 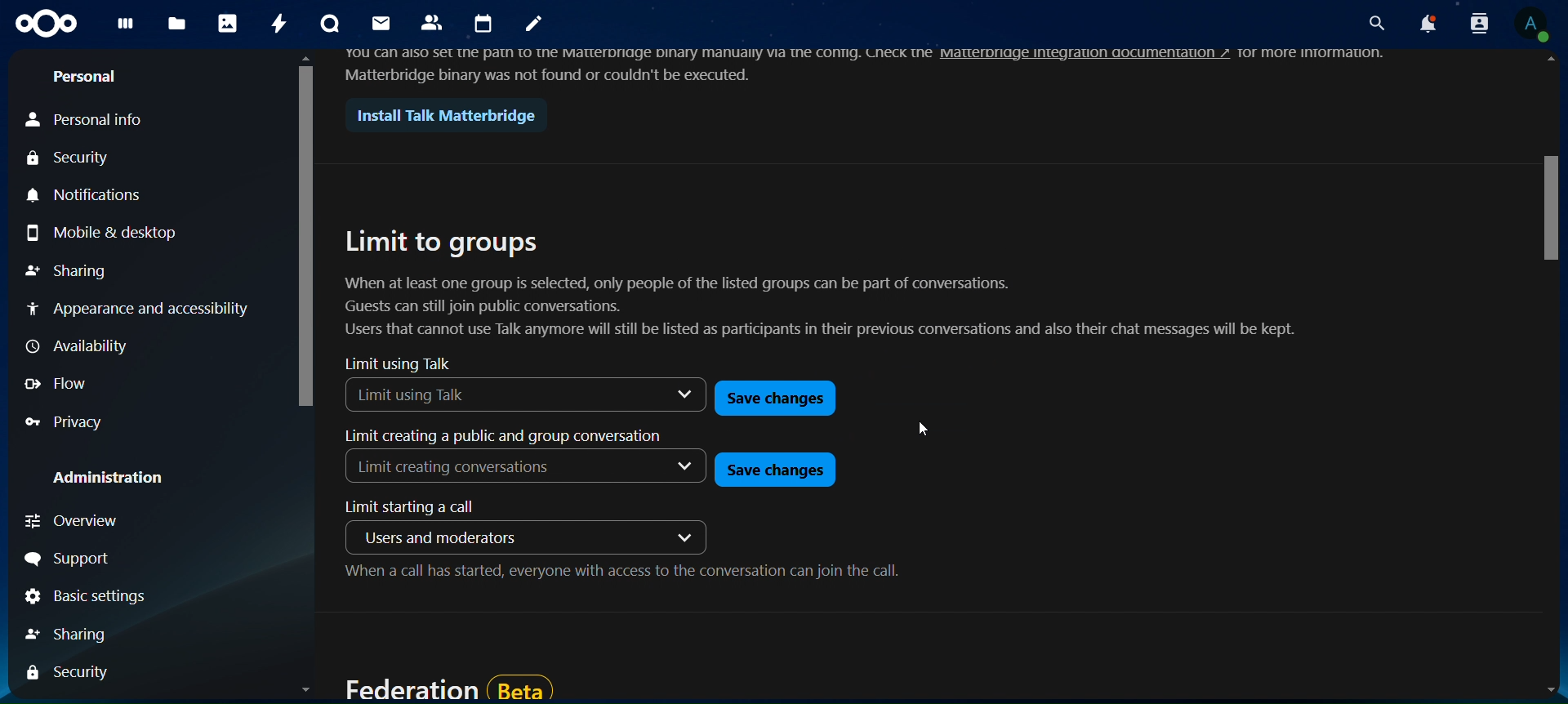 I want to click on contacts, so click(x=433, y=21).